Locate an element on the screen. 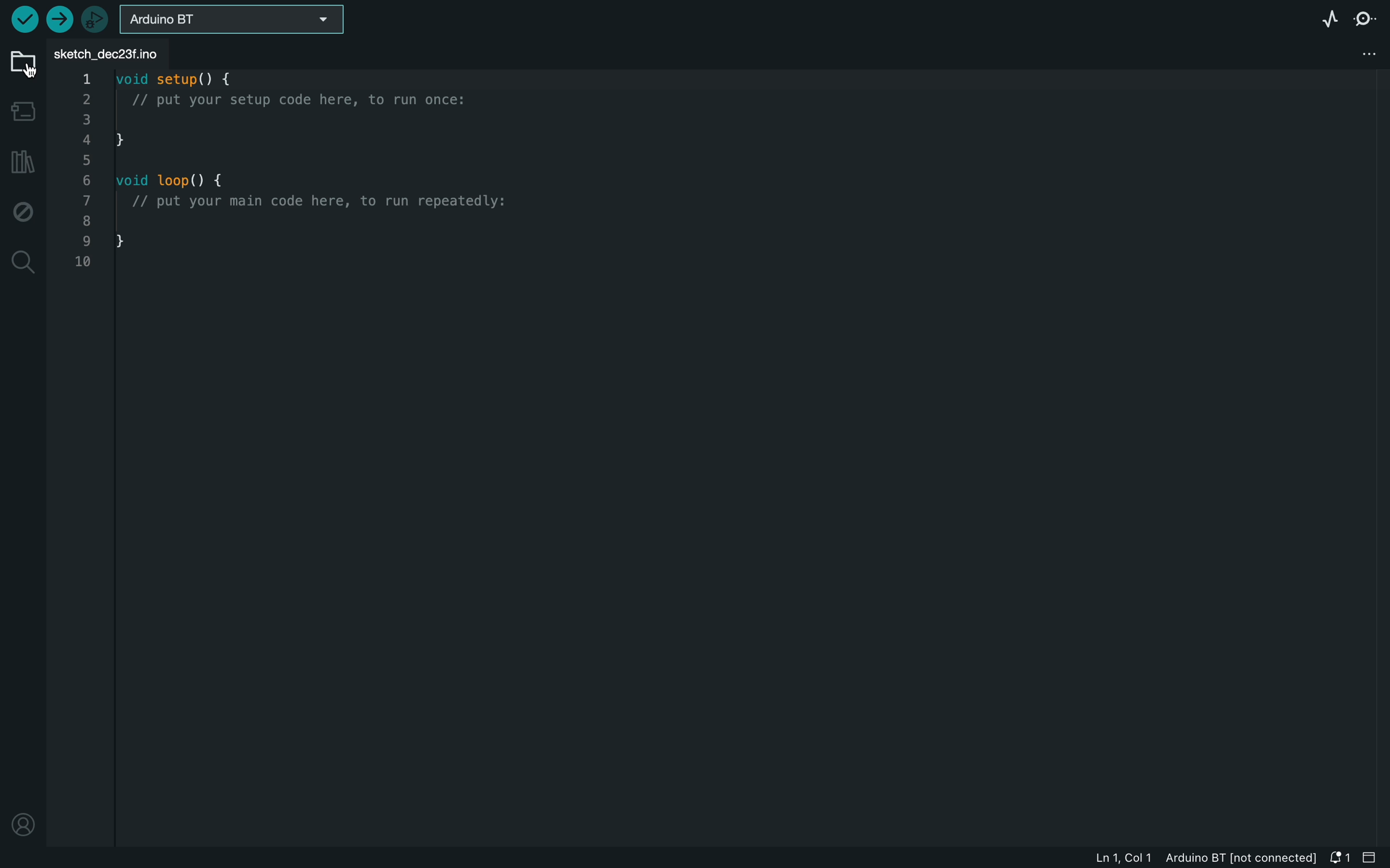 The width and height of the screenshot is (1390, 868). notification is located at coordinates (1342, 857).